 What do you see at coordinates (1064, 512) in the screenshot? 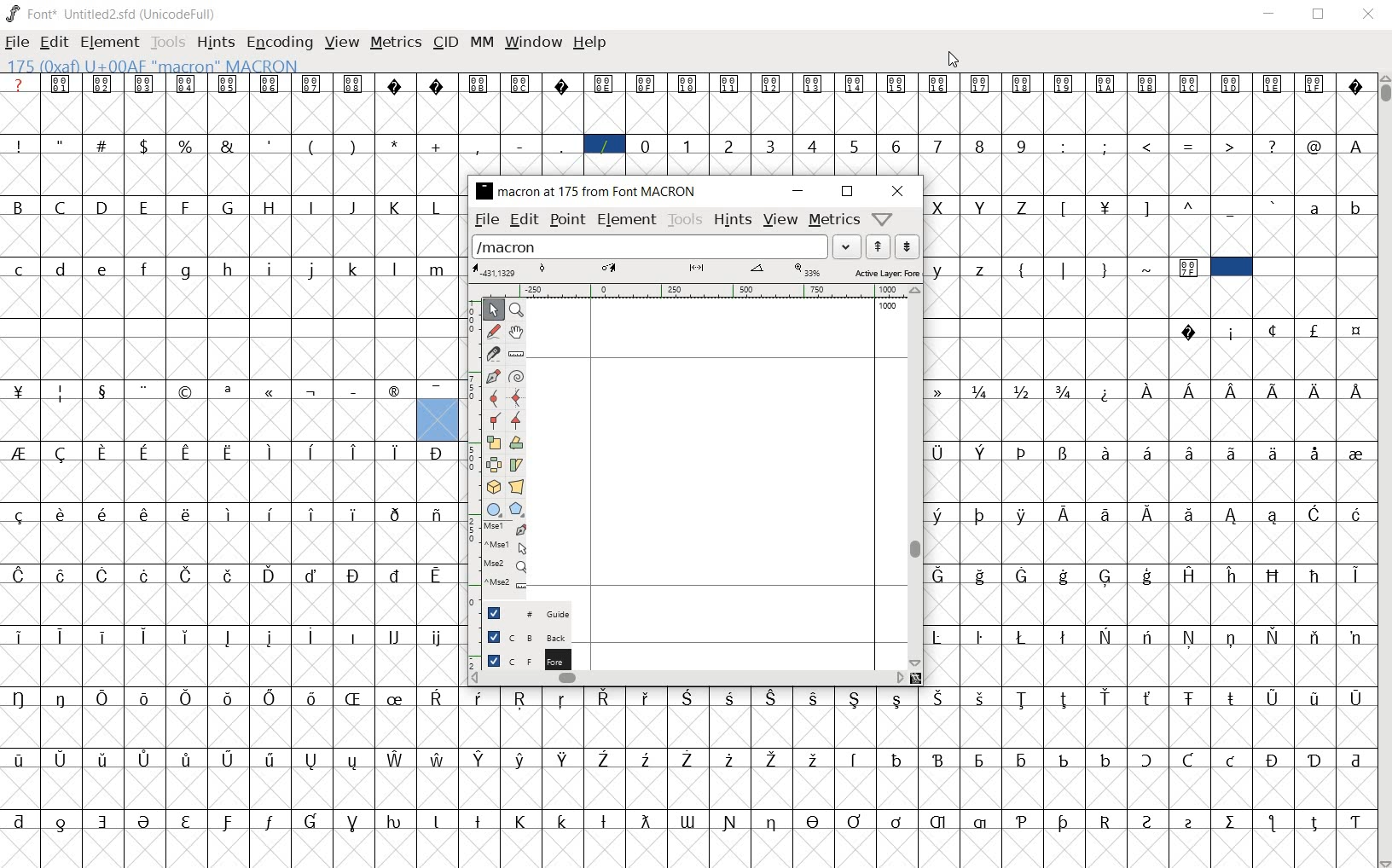
I see `Symbol` at bounding box center [1064, 512].